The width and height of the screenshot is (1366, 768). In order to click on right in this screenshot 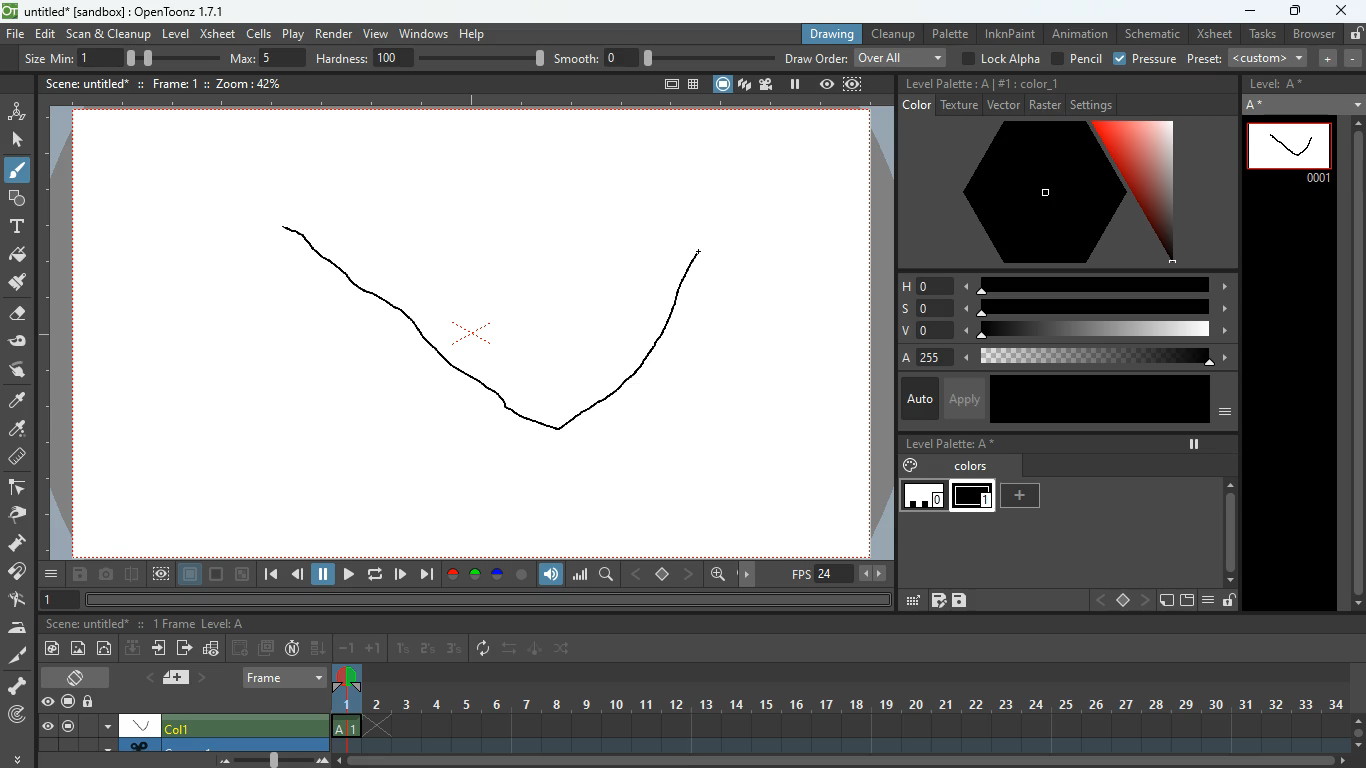, I will do `click(750, 575)`.